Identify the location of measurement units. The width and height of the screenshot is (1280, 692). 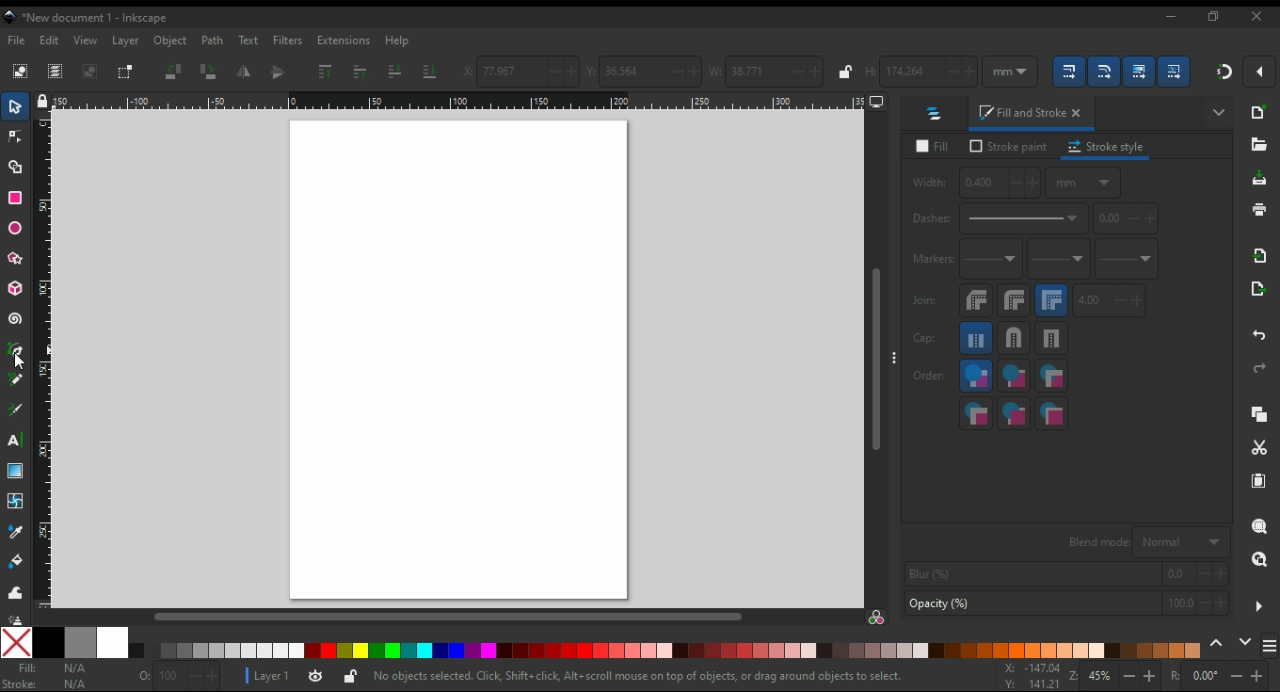
(1009, 71).